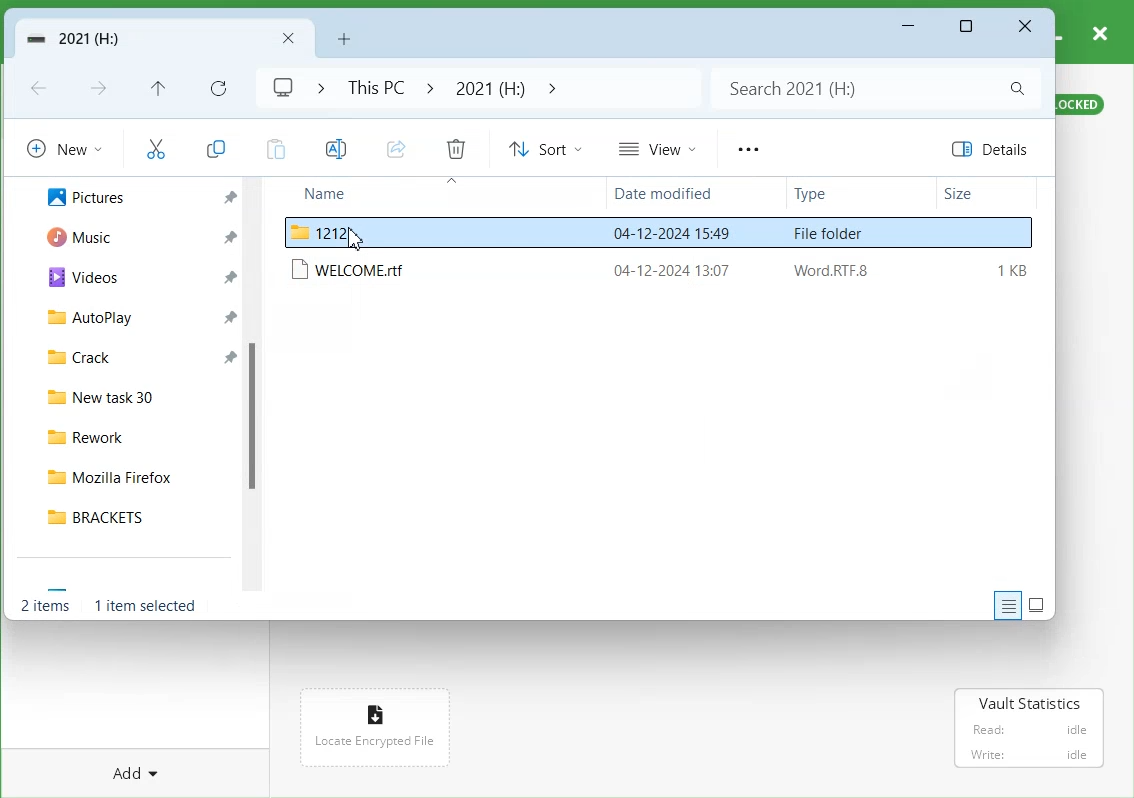 This screenshot has height=798, width=1134. What do you see at coordinates (217, 87) in the screenshot?
I see `Refresh` at bounding box center [217, 87].